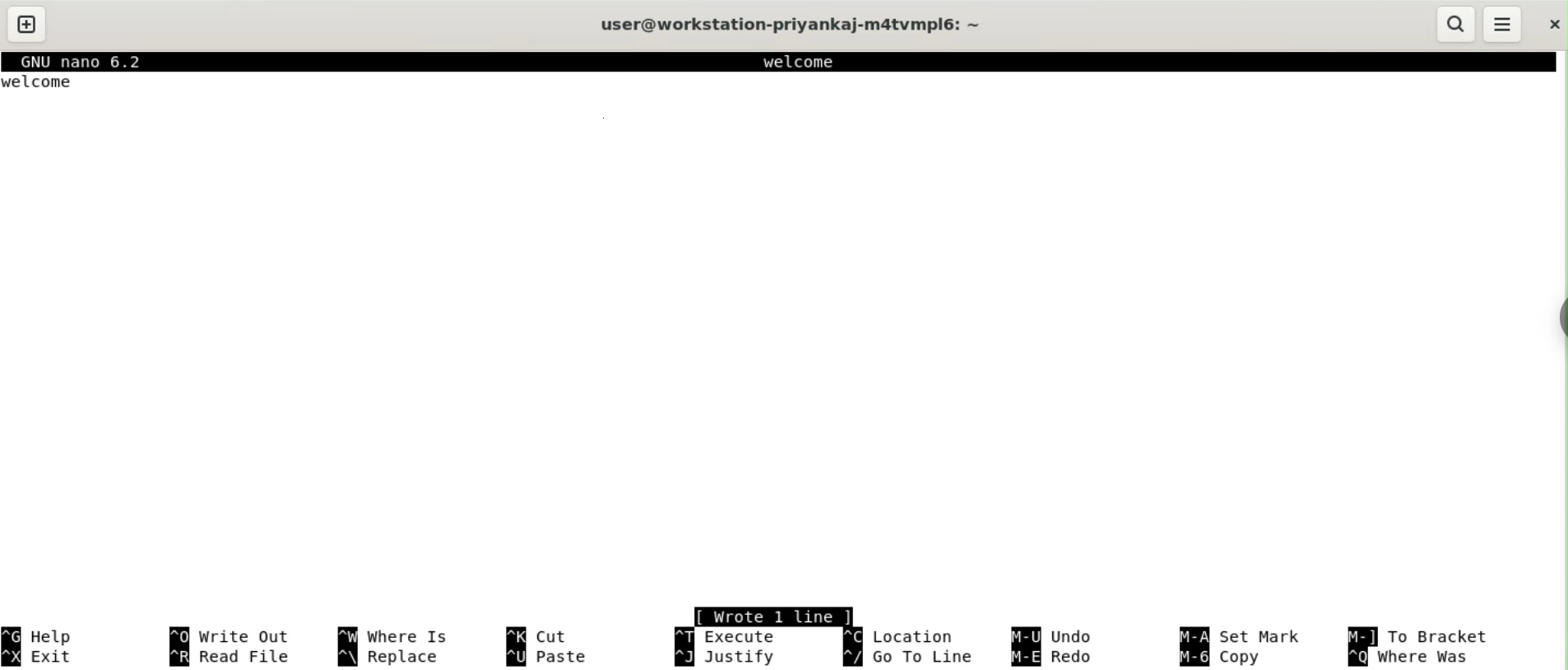 Image resolution: width=1568 pixels, height=670 pixels. Describe the element at coordinates (812, 62) in the screenshot. I see `New Buffer *` at that location.